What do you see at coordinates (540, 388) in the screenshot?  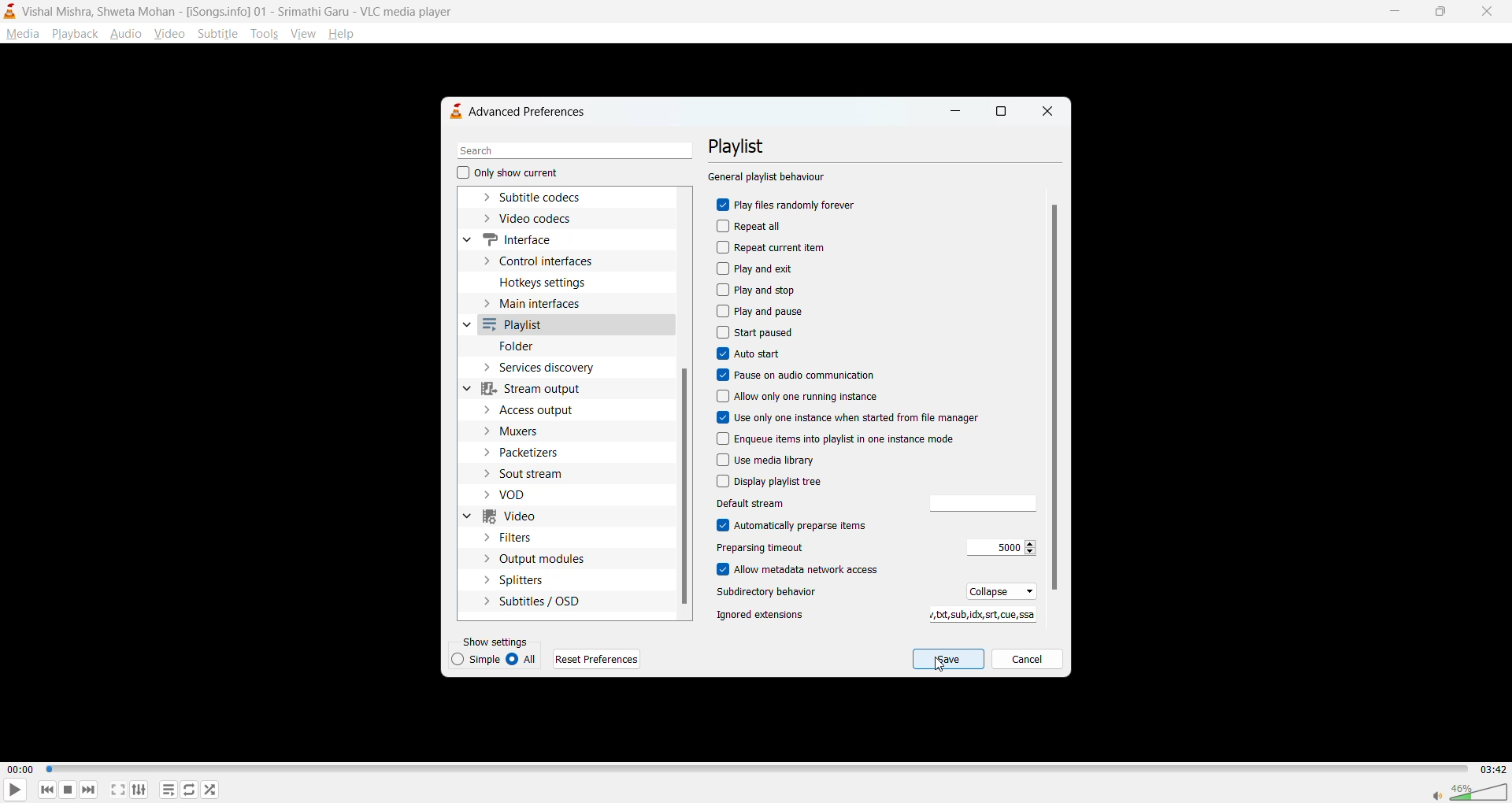 I see `stream  output` at bounding box center [540, 388].